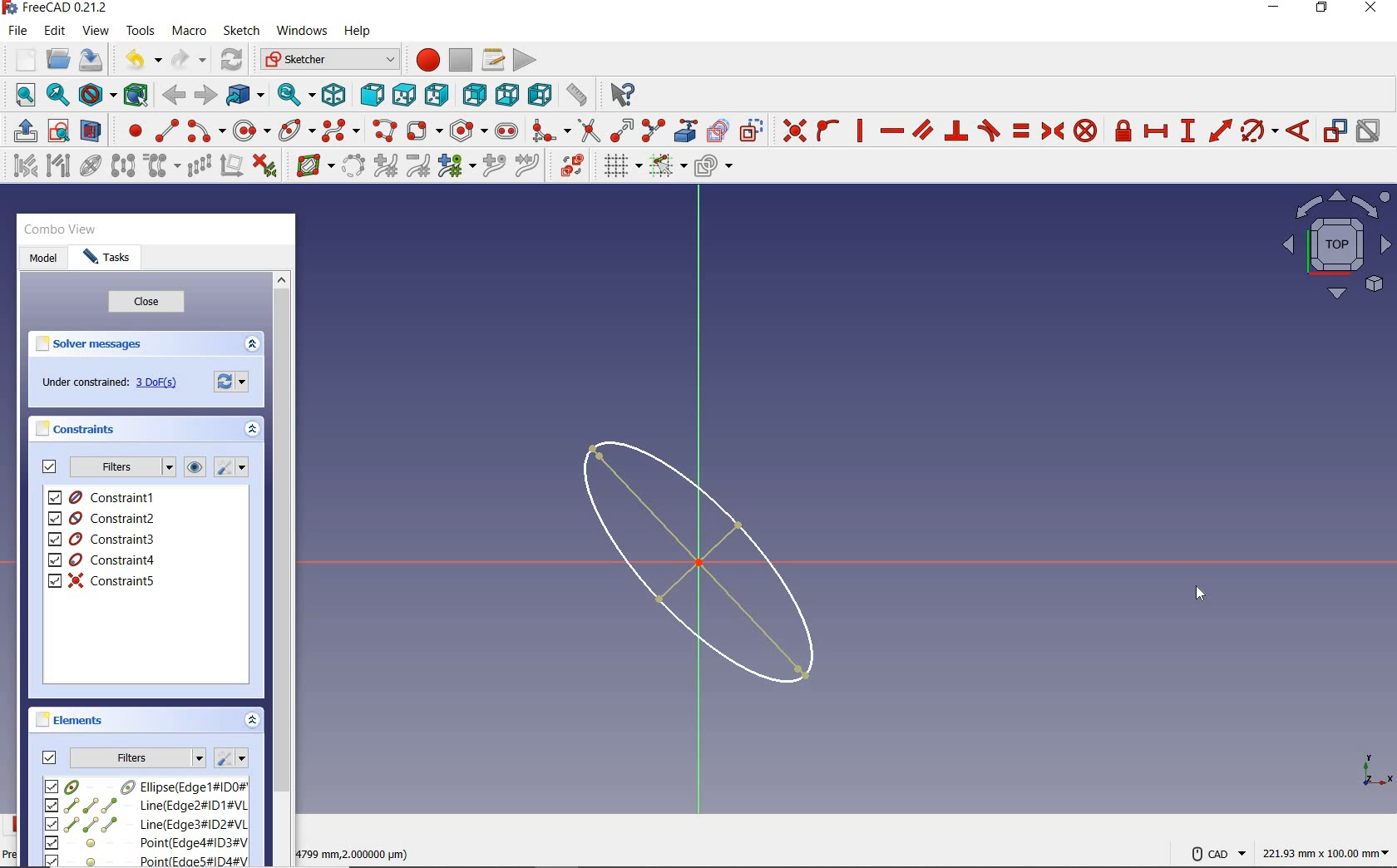  Describe the element at coordinates (146, 842) in the screenshot. I see `element4` at that location.